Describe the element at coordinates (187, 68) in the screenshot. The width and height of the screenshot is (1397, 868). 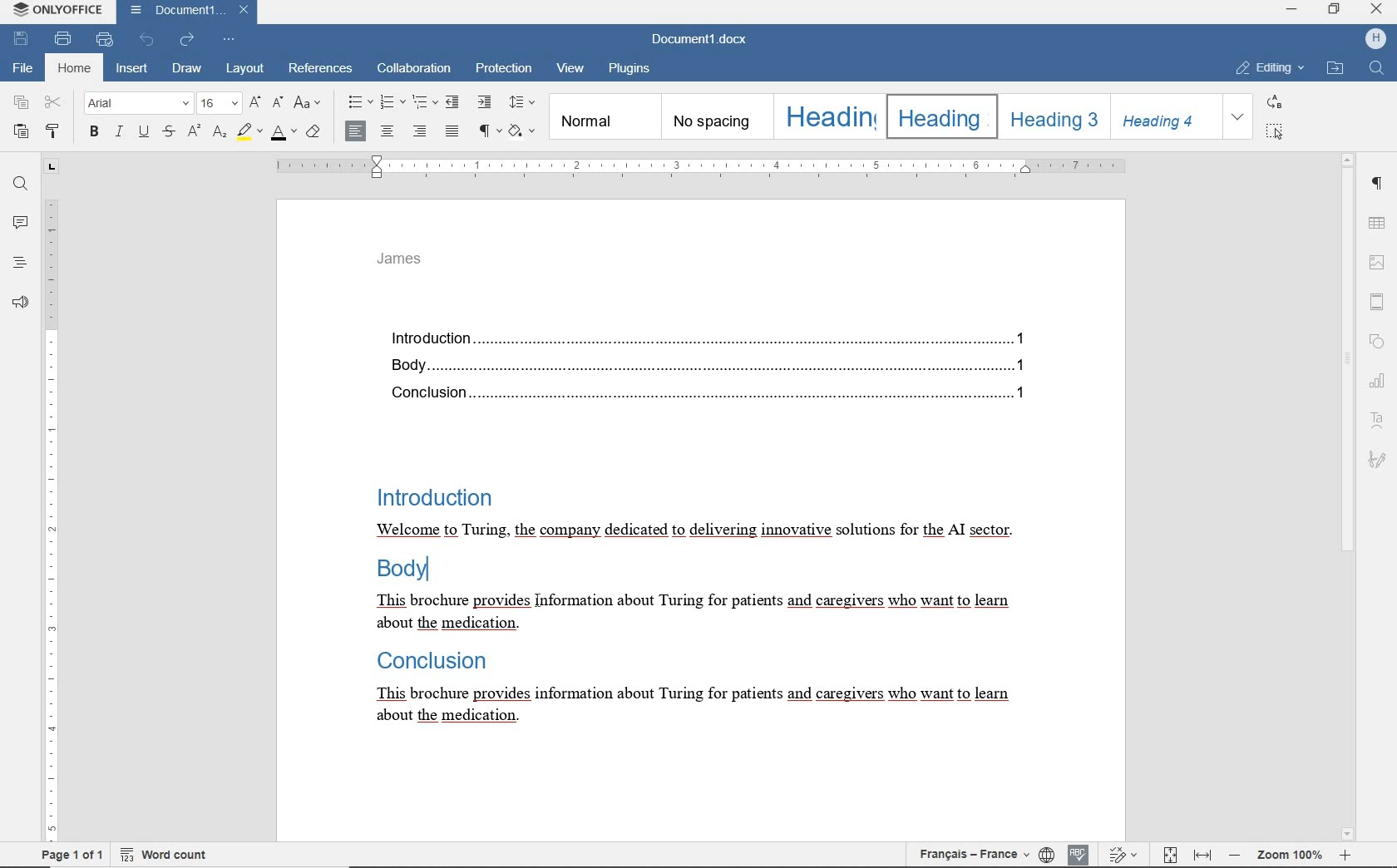
I see `DRAW` at that location.